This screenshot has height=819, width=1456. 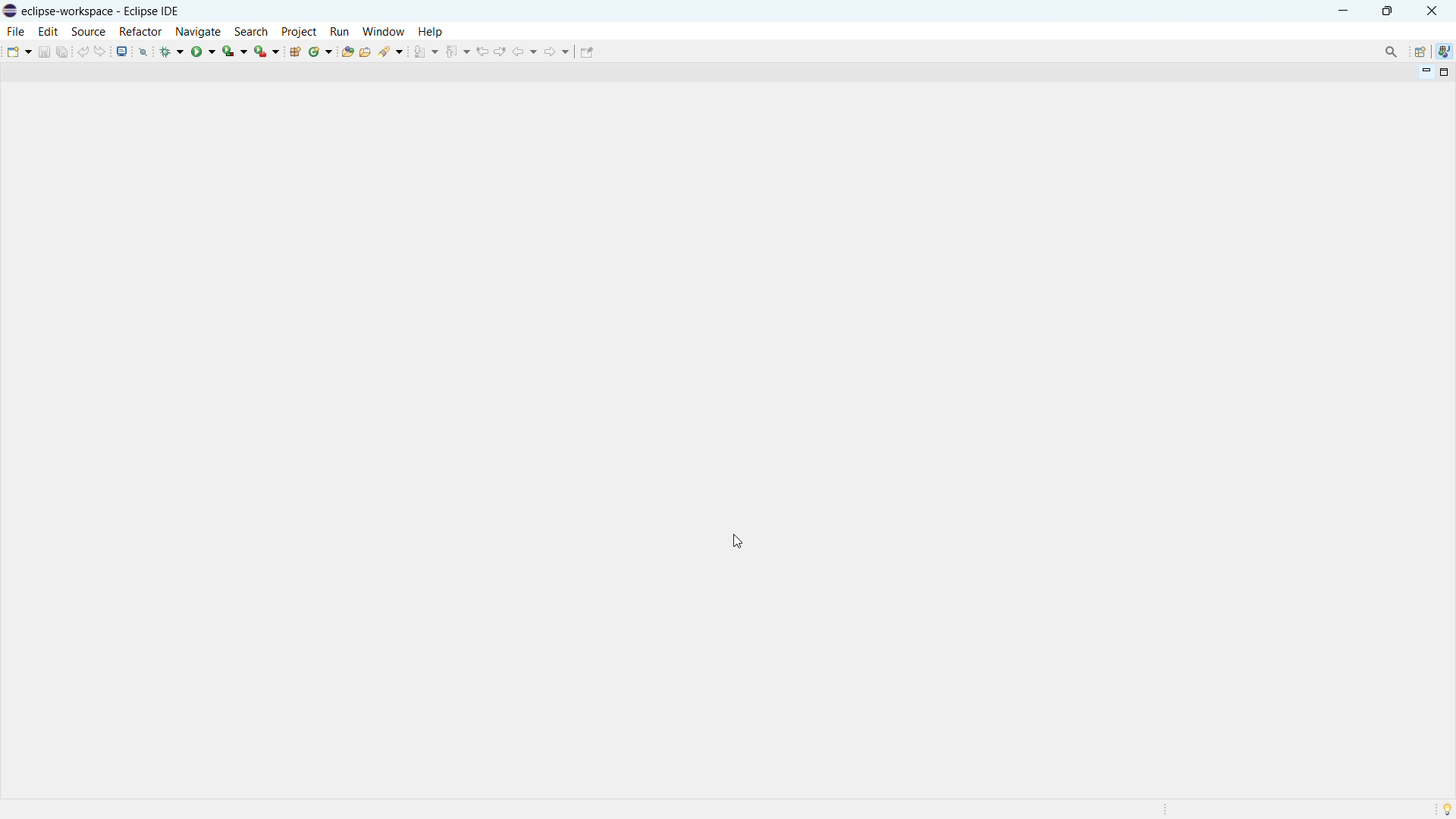 I want to click on next annotation, so click(x=425, y=52).